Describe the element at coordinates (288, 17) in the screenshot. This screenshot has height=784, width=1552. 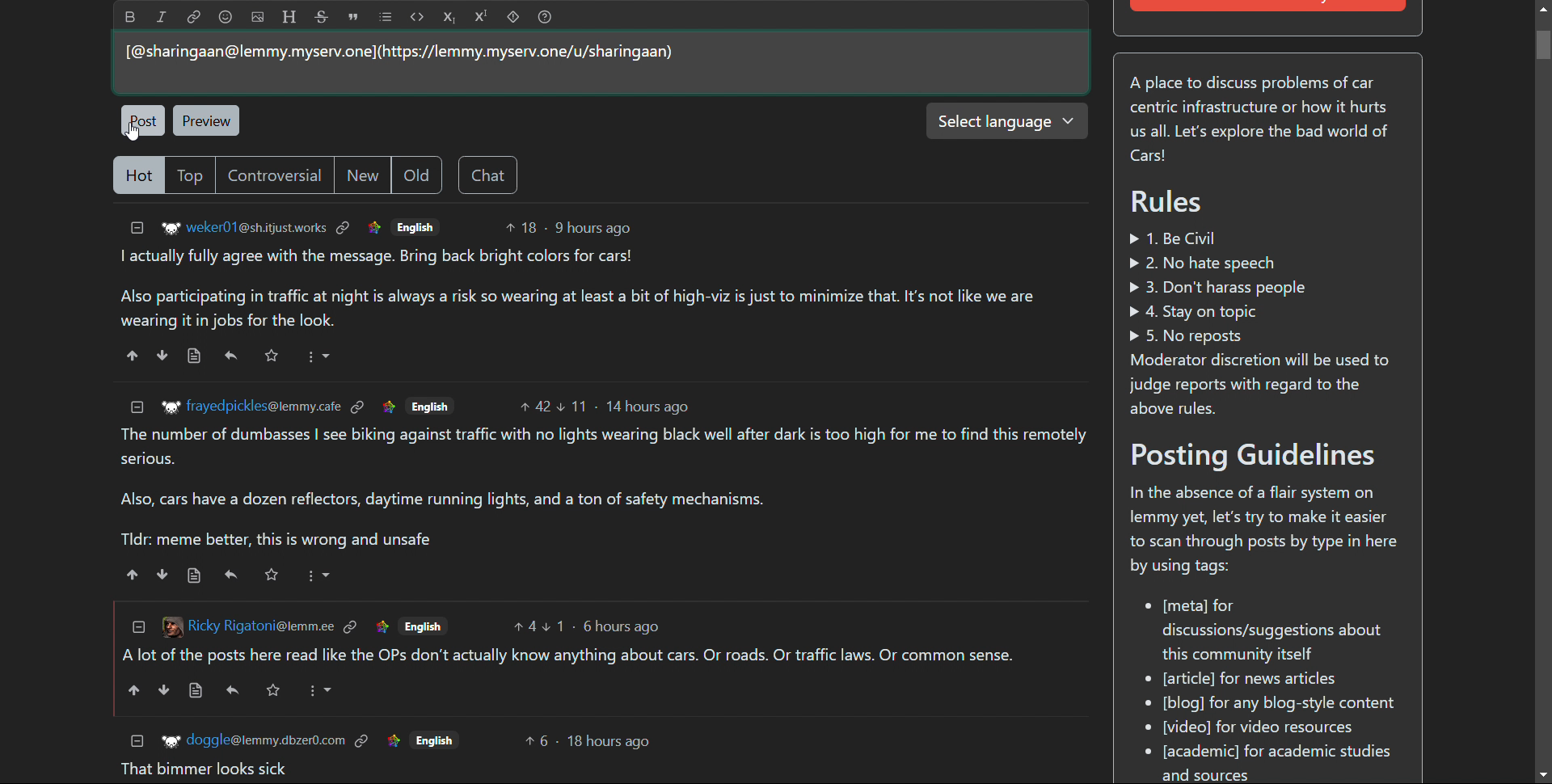
I see `header` at that location.